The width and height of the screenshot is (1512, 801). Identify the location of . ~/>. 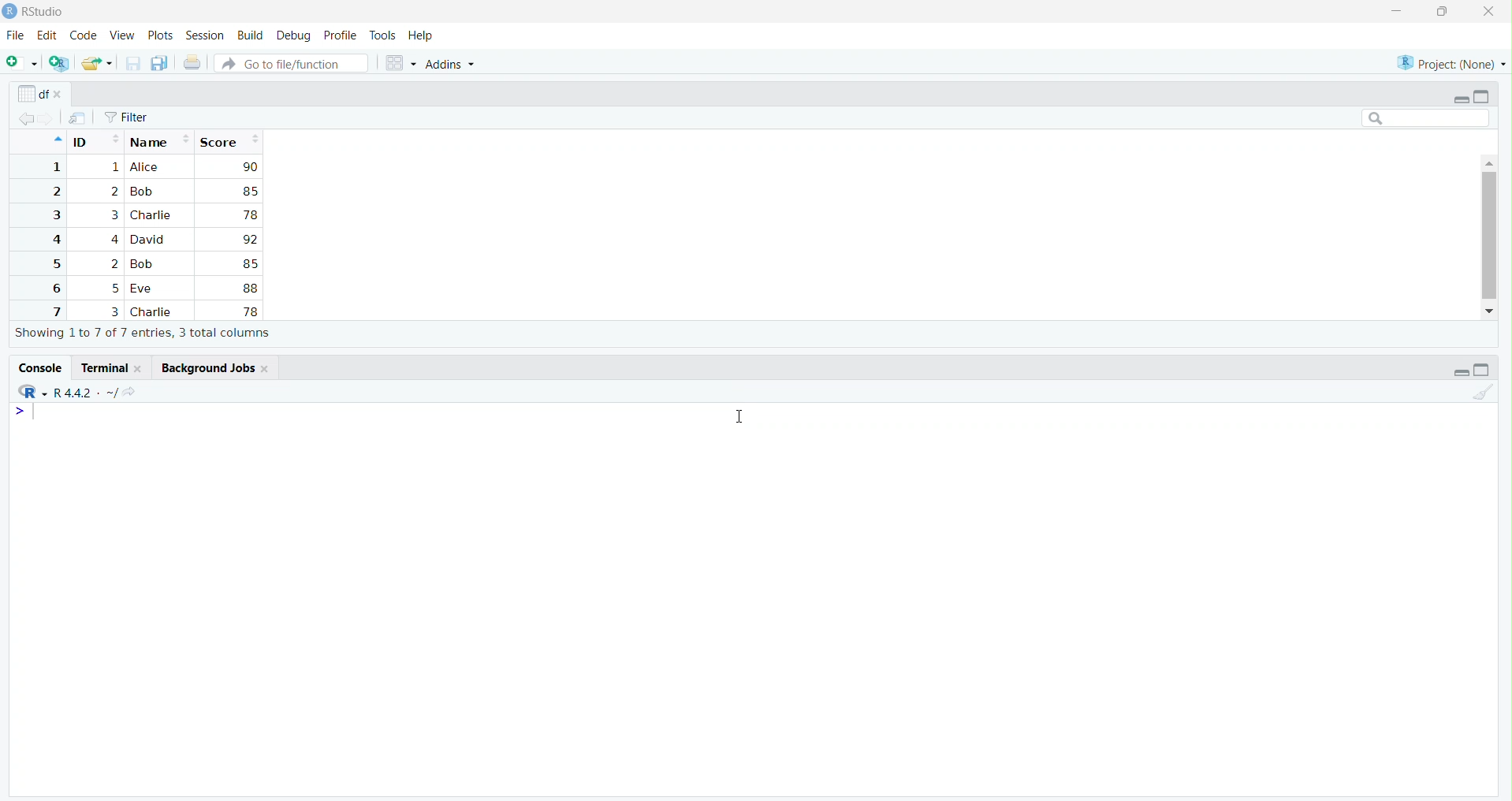
(118, 393).